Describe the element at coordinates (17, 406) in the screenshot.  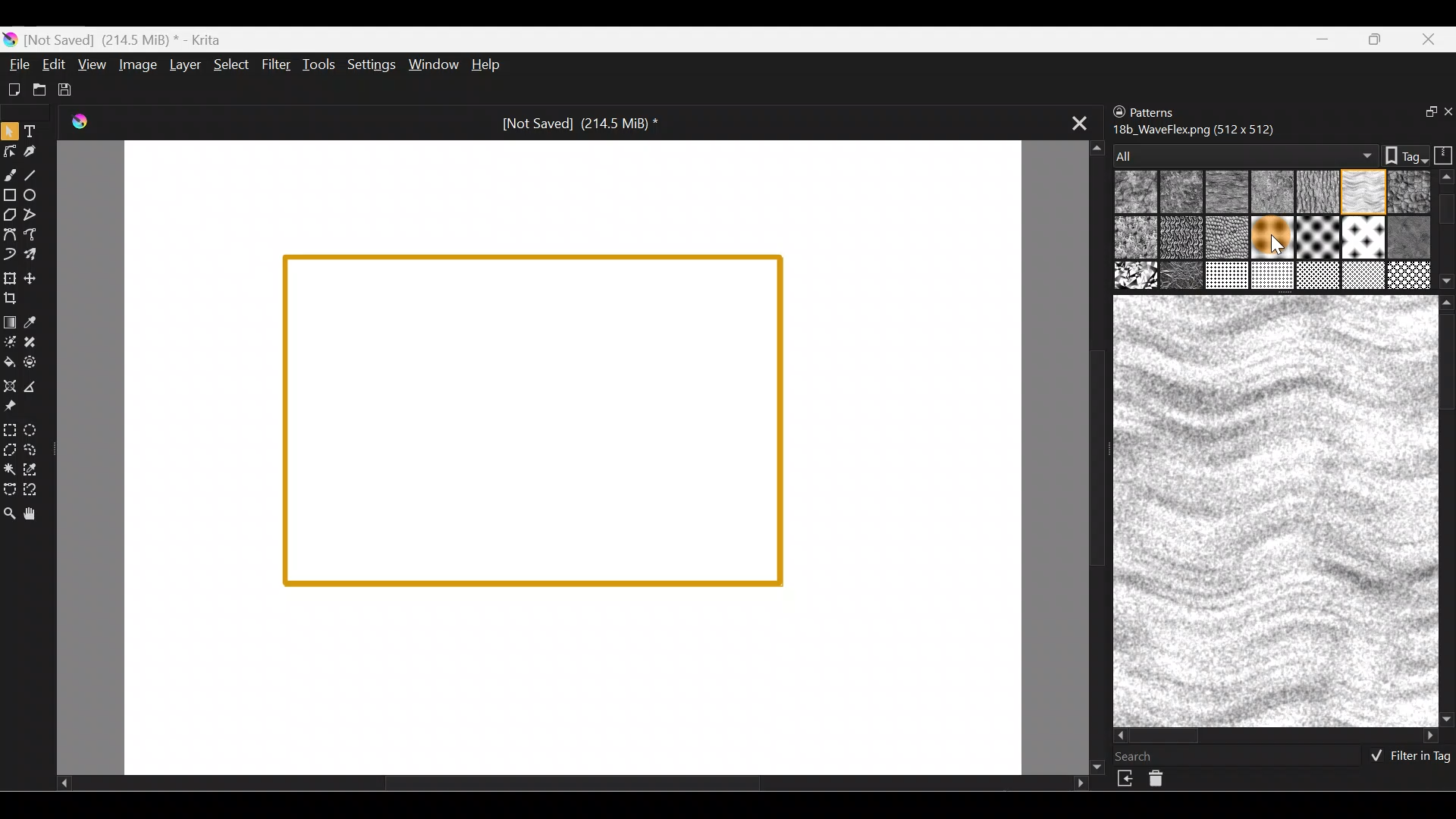
I see `Reference images tool` at that location.